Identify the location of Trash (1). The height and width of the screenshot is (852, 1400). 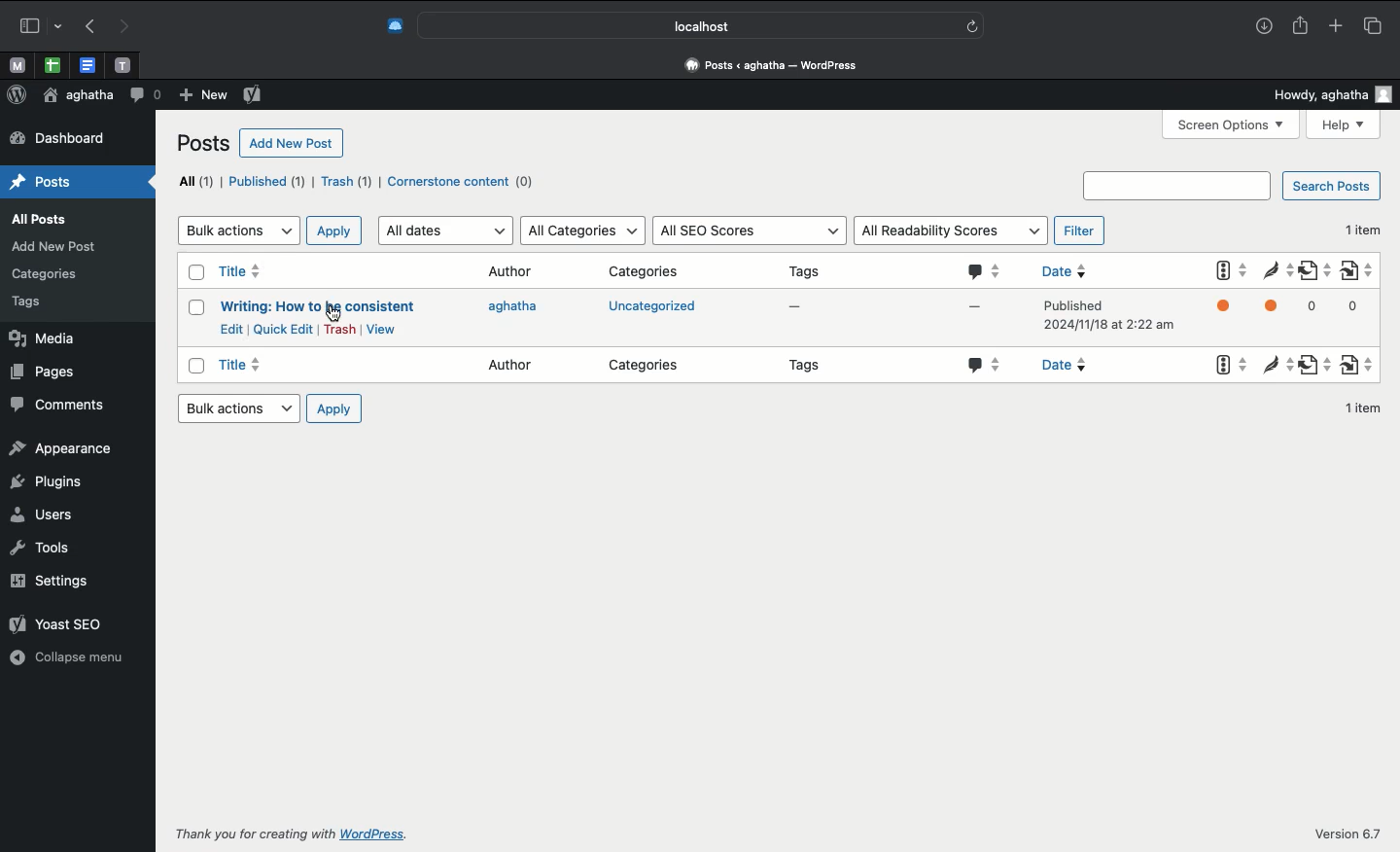
(345, 182).